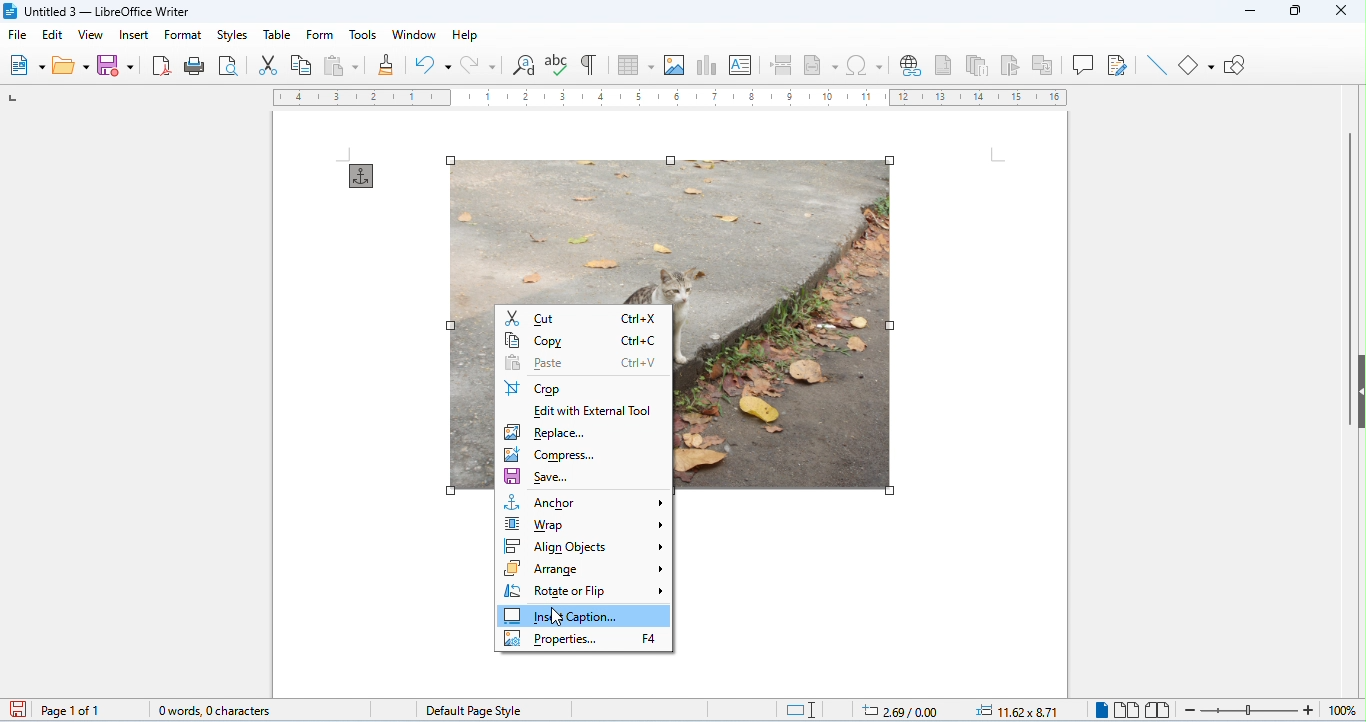 Image resolution: width=1366 pixels, height=722 pixels. What do you see at coordinates (595, 412) in the screenshot?
I see `edit with external tool` at bounding box center [595, 412].